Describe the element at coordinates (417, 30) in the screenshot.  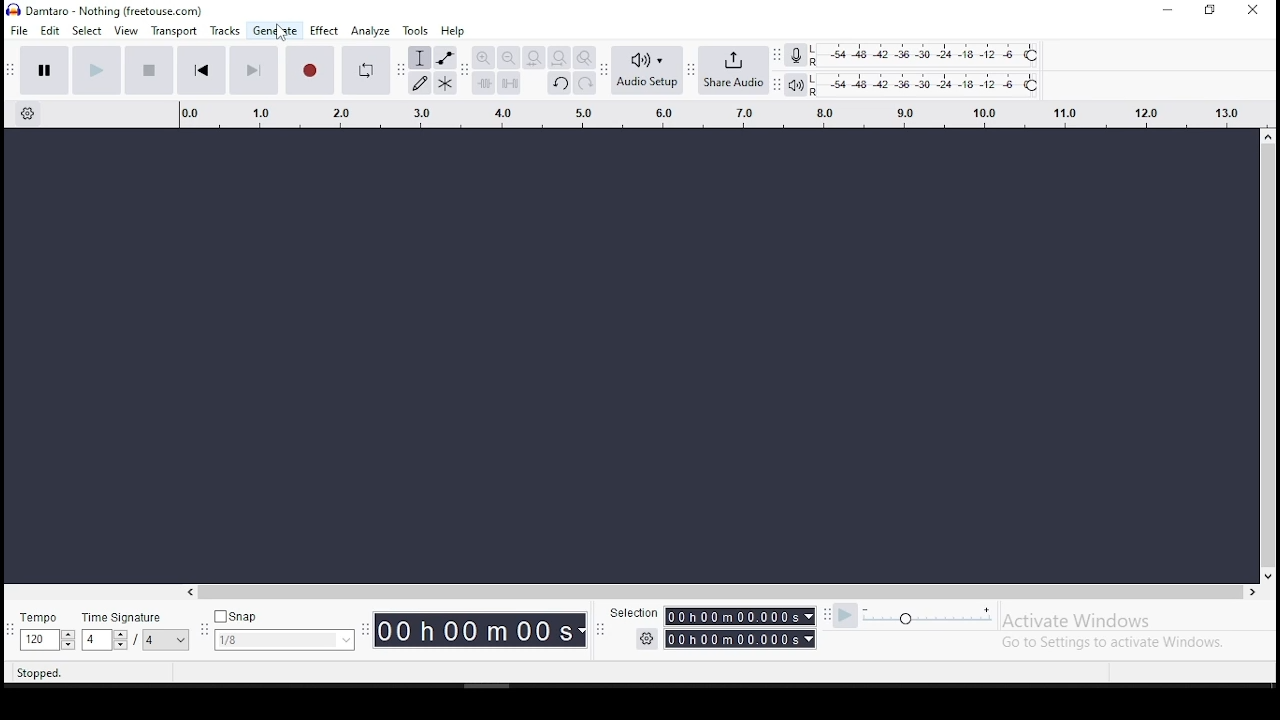
I see `tools` at that location.